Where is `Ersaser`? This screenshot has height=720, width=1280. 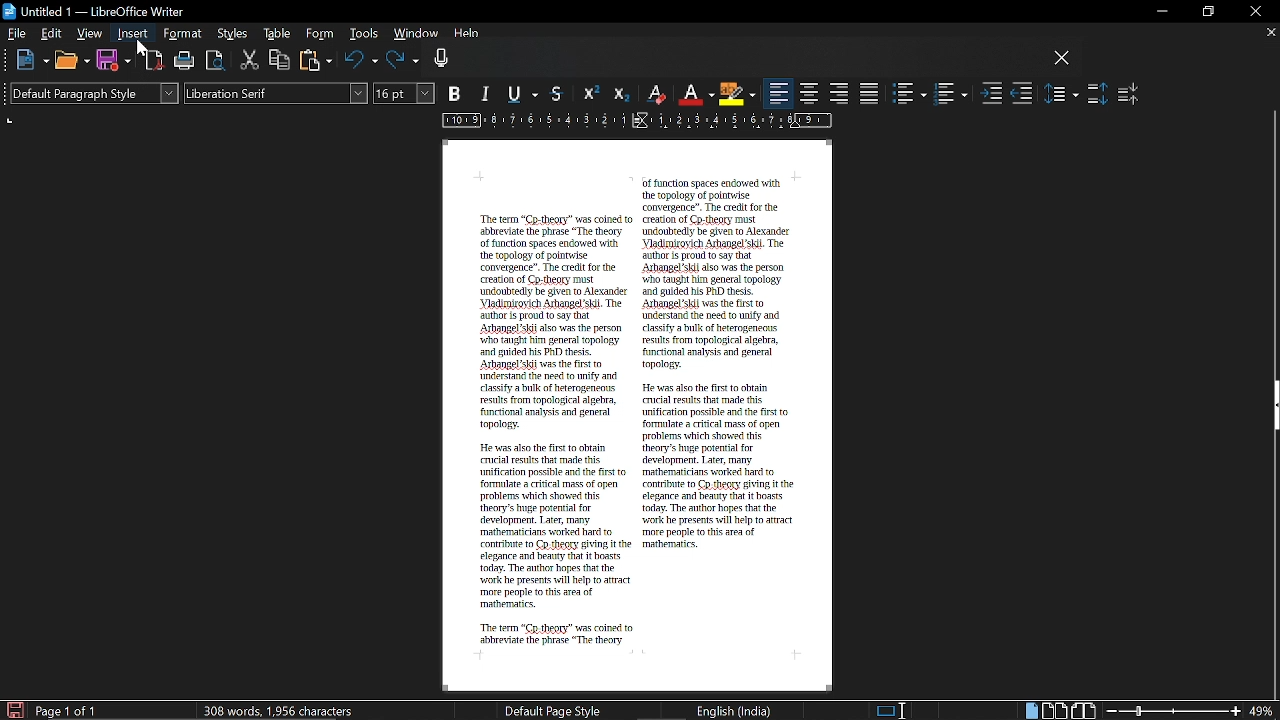 Ersaser is located at coordinates (657, 95).